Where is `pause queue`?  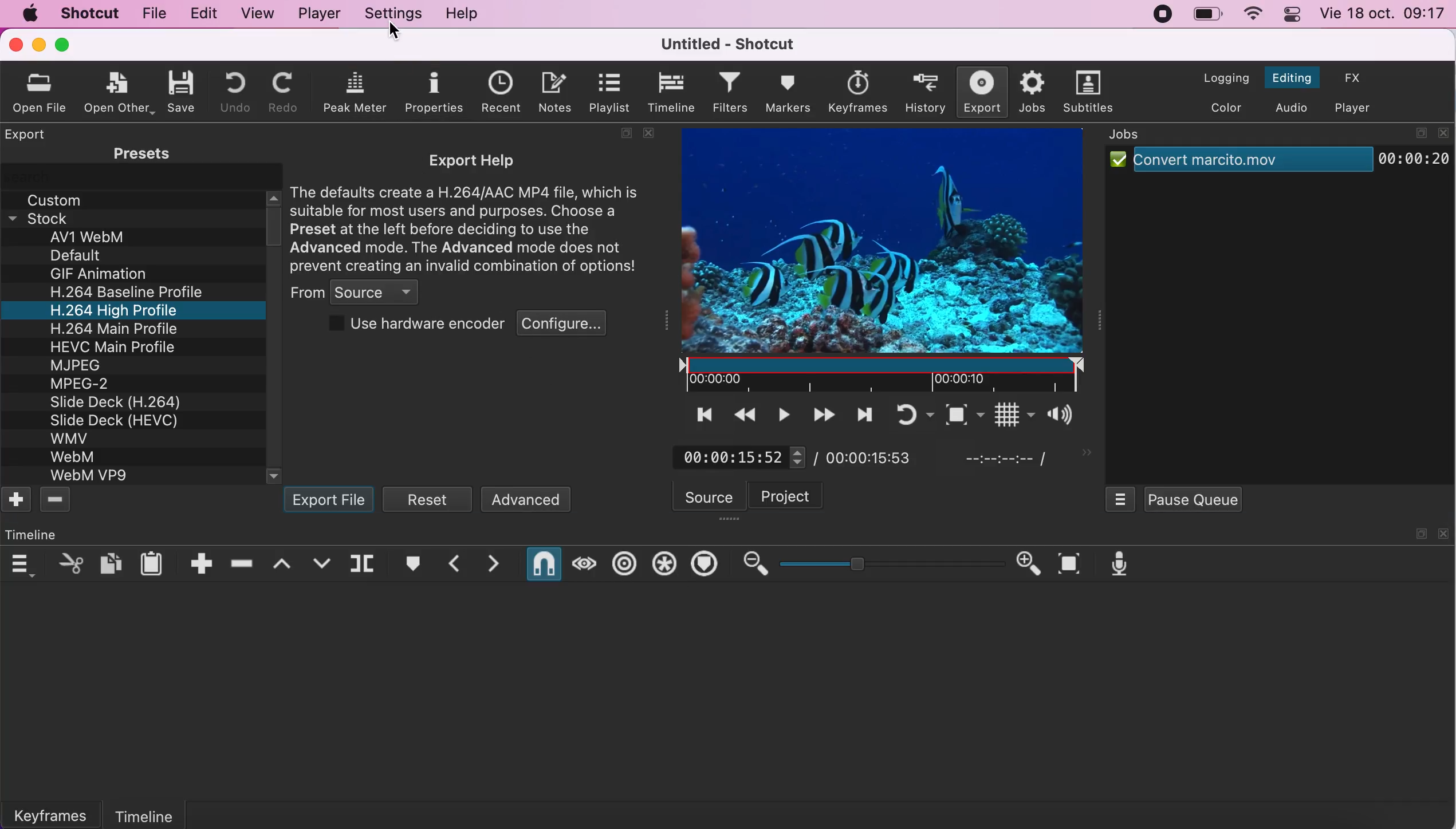
pause queue is located at coordinates (1192, 499).